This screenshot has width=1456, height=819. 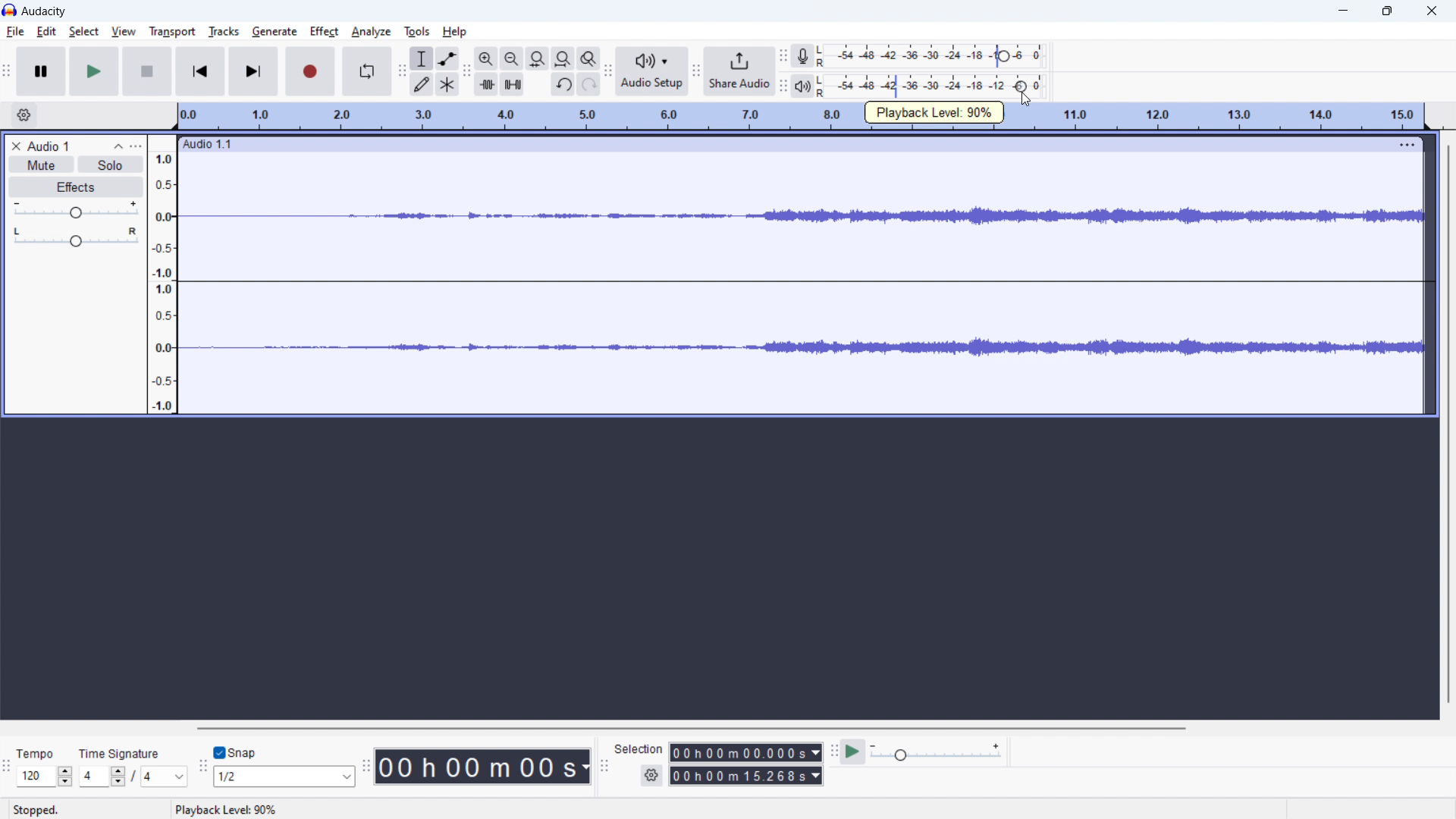 I want to click on selection, so click(x=638, y=748).